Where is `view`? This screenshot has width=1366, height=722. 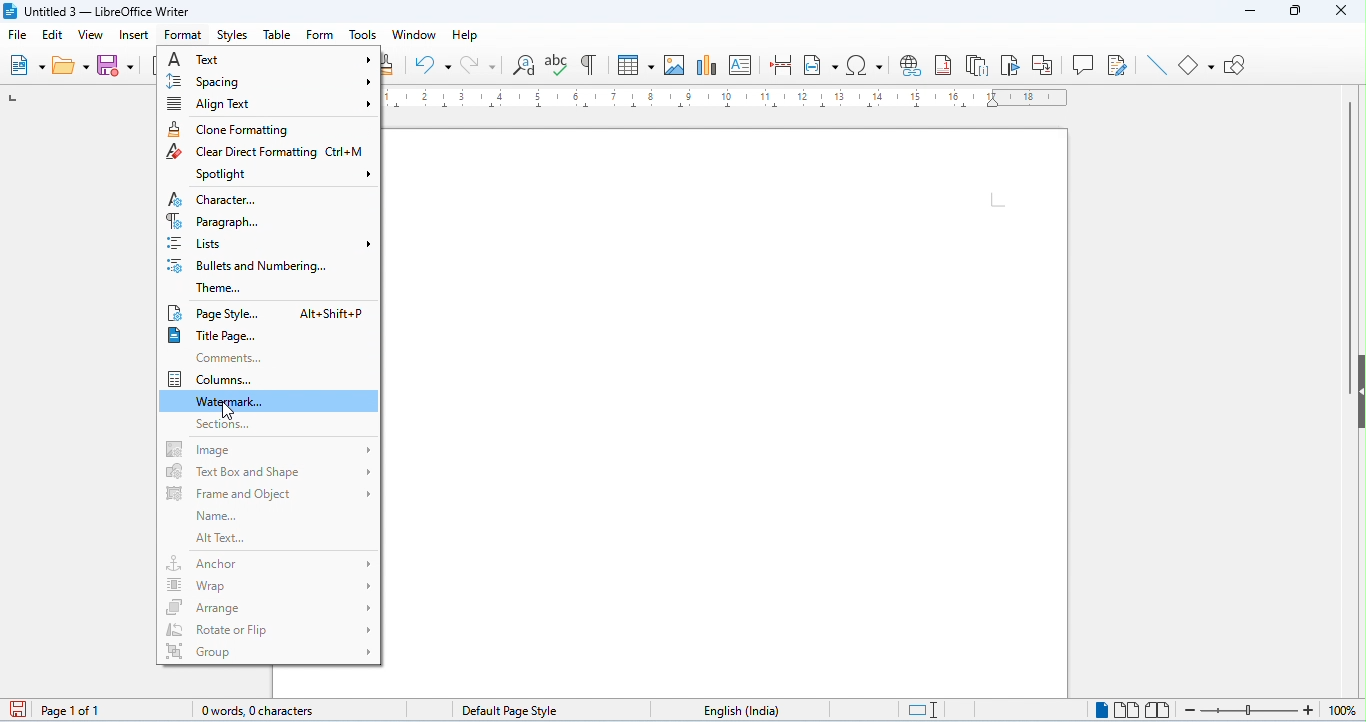 view is located at coordinates (91, 36).